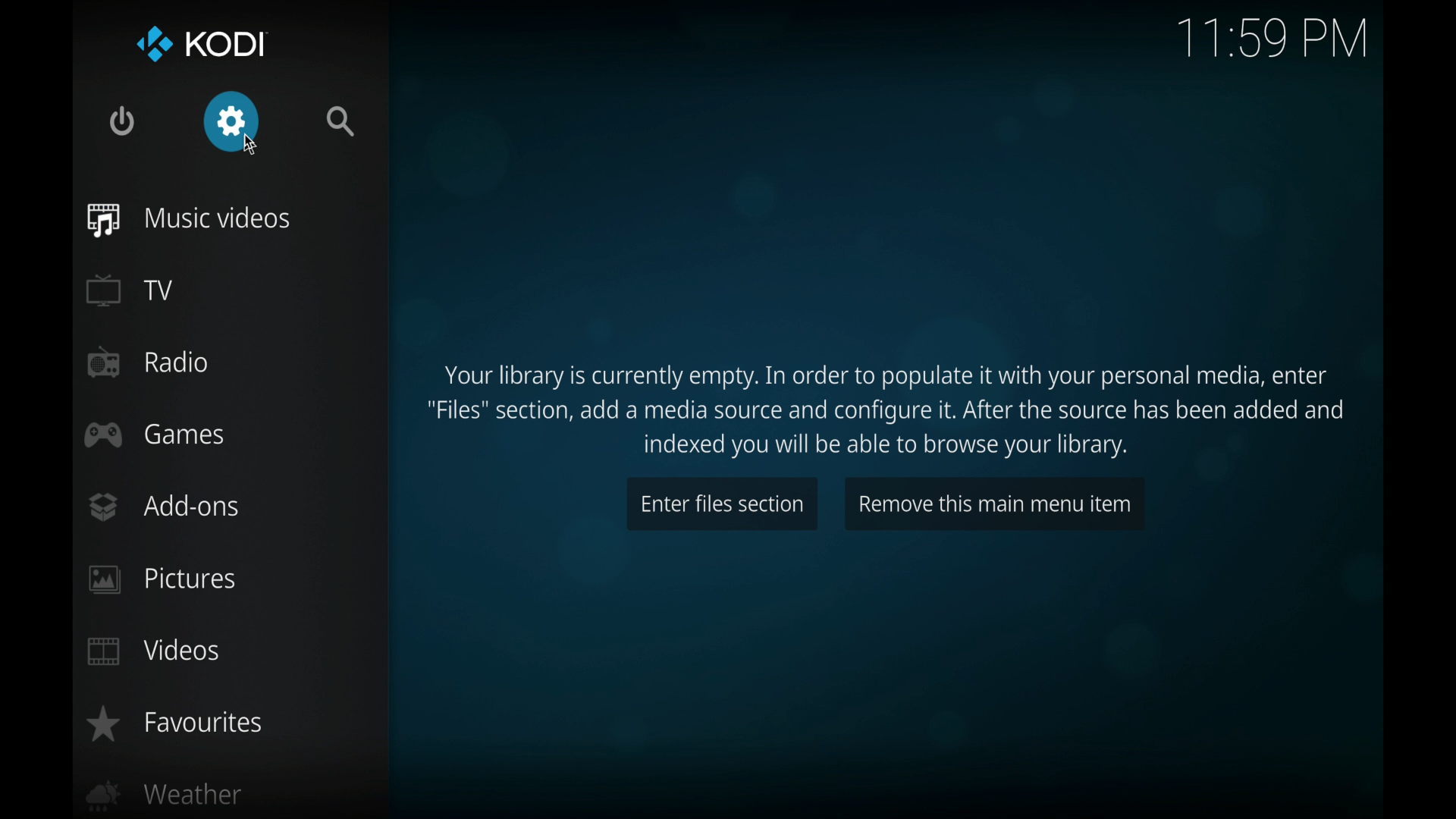 Image resolution: width=1456 pixels, height=819 pixels. I want to click on Your library is currently empty. In order to populate it with your personal media, enter
"Files" section, add a media source and configure it. After the source has been added and
indexed you will be able to browse your library., so click(883, 409).